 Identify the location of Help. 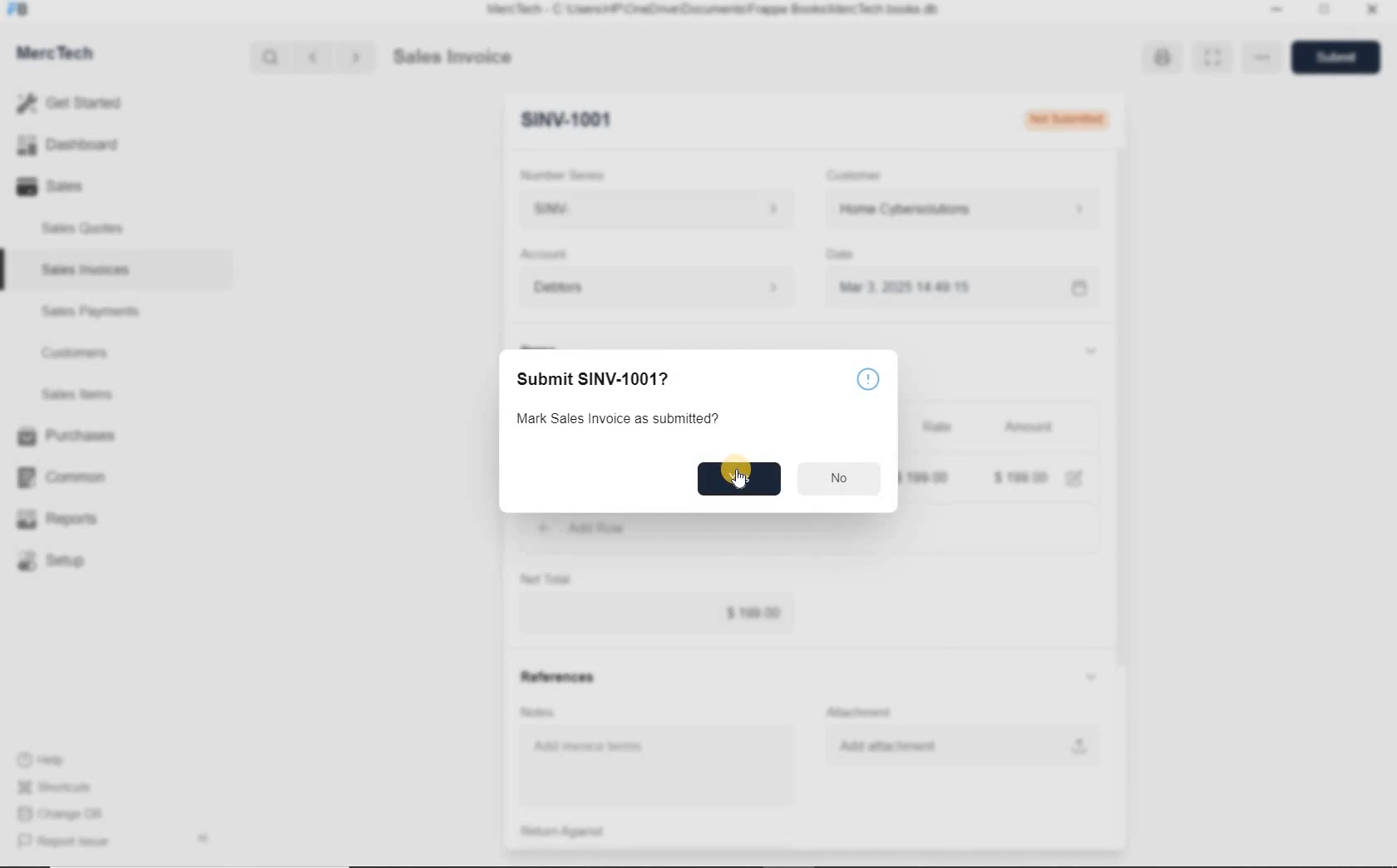
(50, 760).